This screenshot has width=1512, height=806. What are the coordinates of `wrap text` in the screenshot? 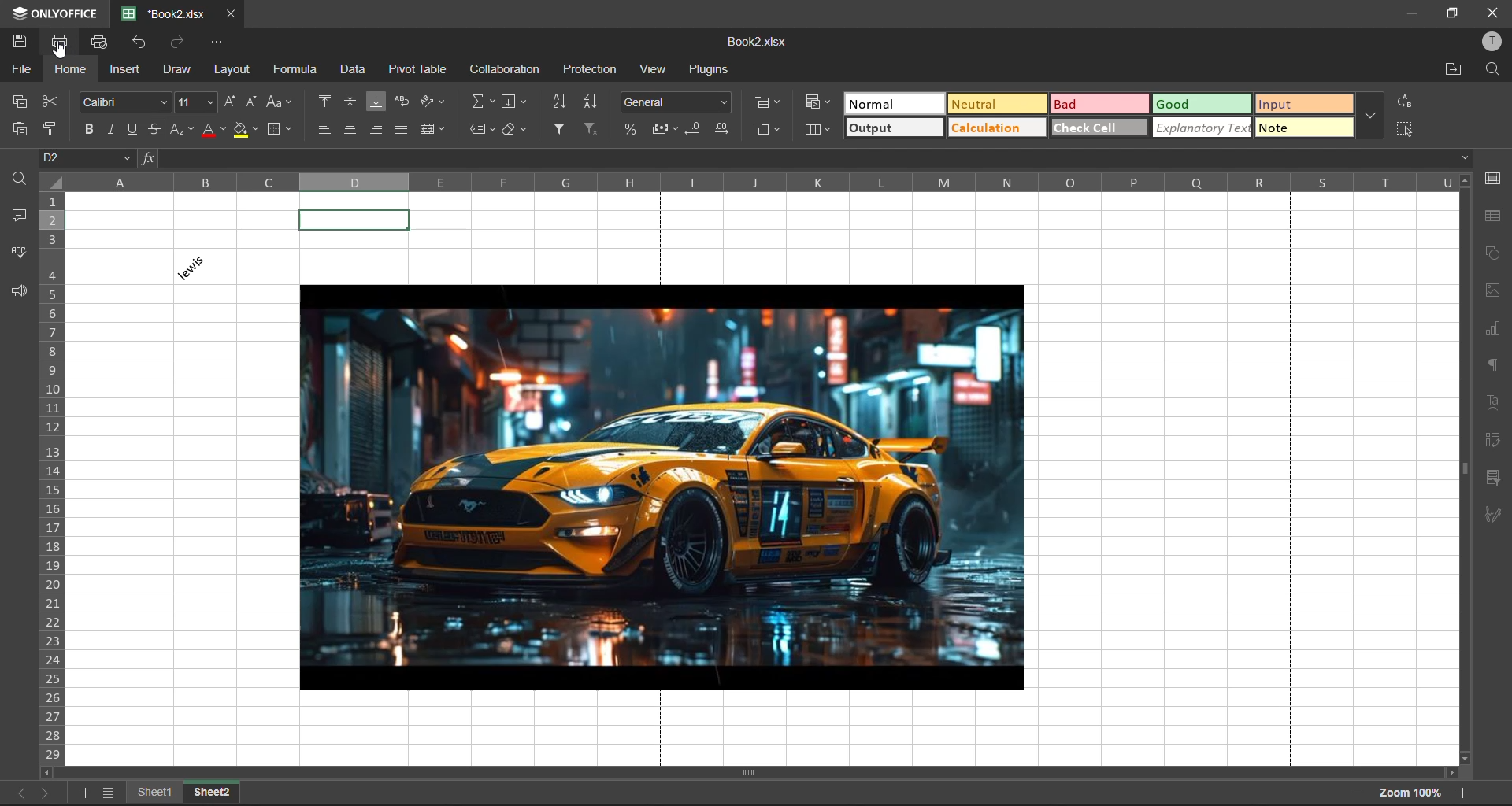 It's located at (404, 102).